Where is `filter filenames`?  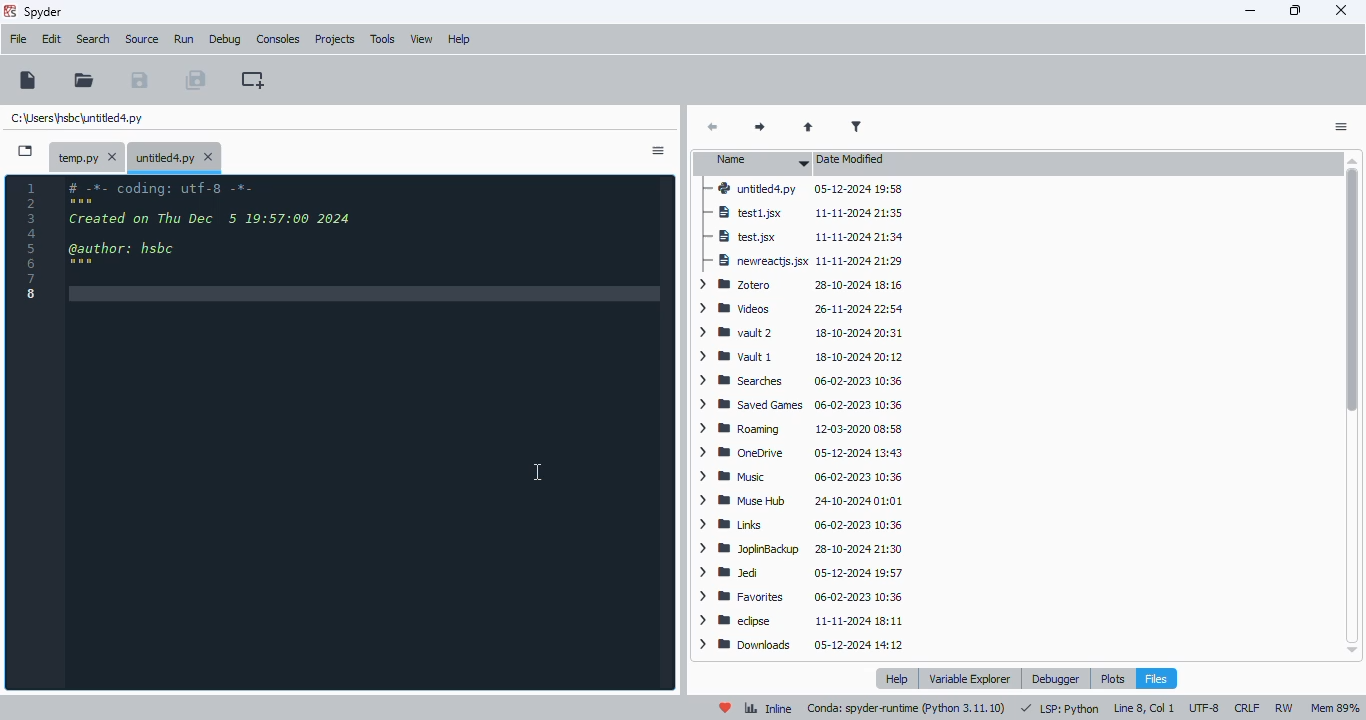 filter filenames is located at coordinates (857, 127).